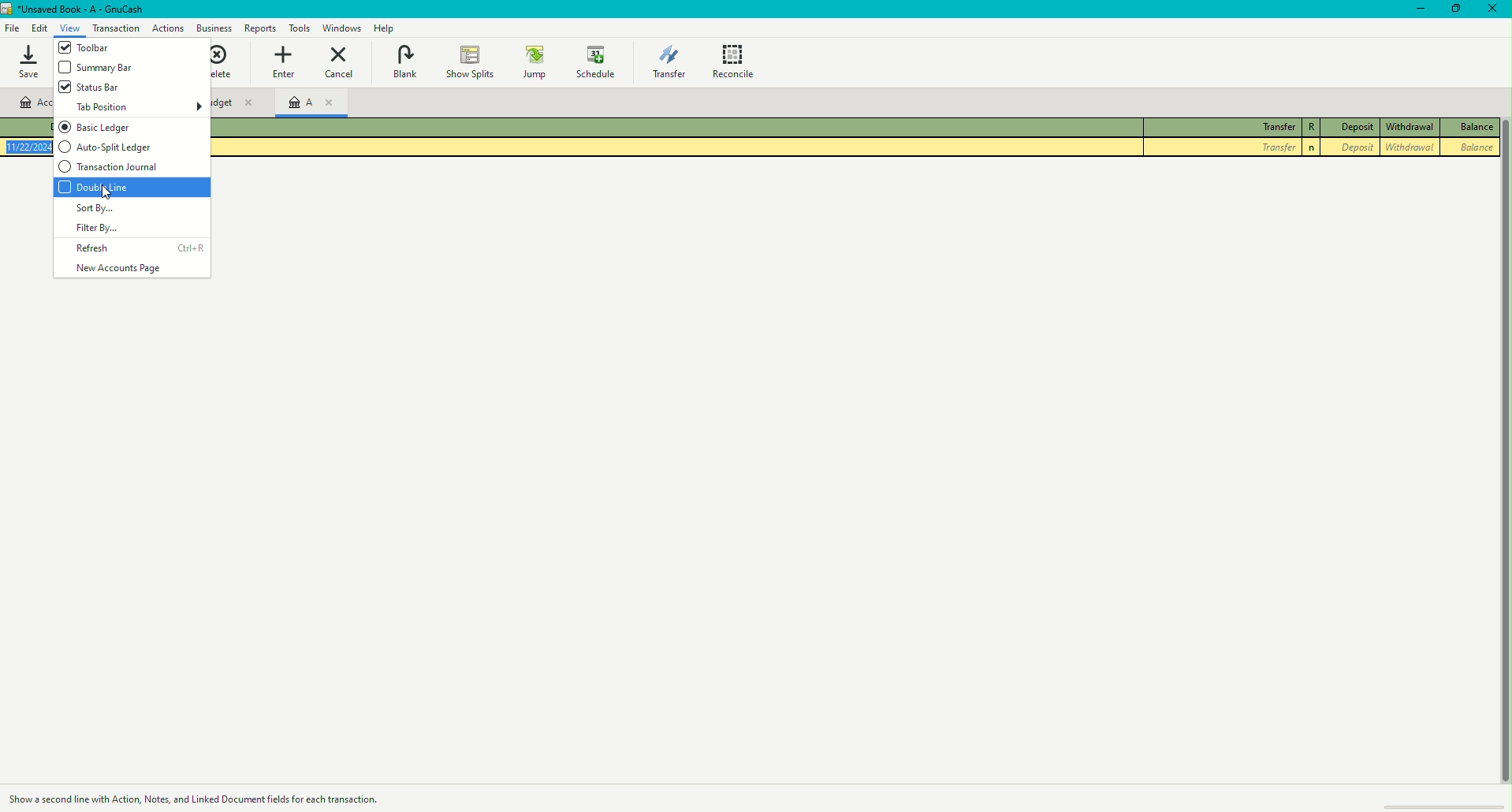  What do you see at coordinates (1220, 147) in the screenshot?
I see `Transfer` at bounding box center [1220, 147].